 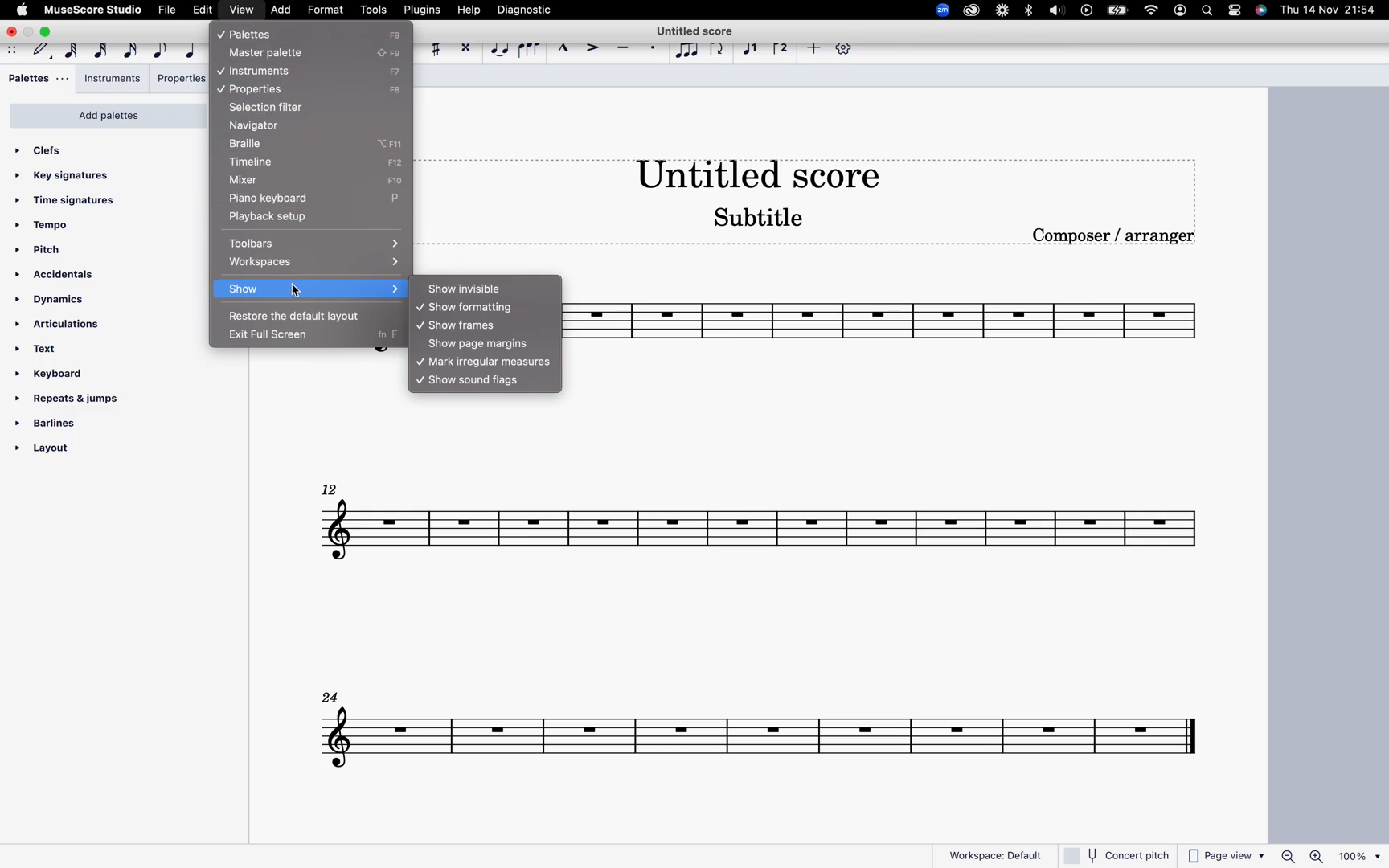 What do you see at coordinates (486, 289) in the screenshot?
I see `show invisible` at bounding box center [486, 289].